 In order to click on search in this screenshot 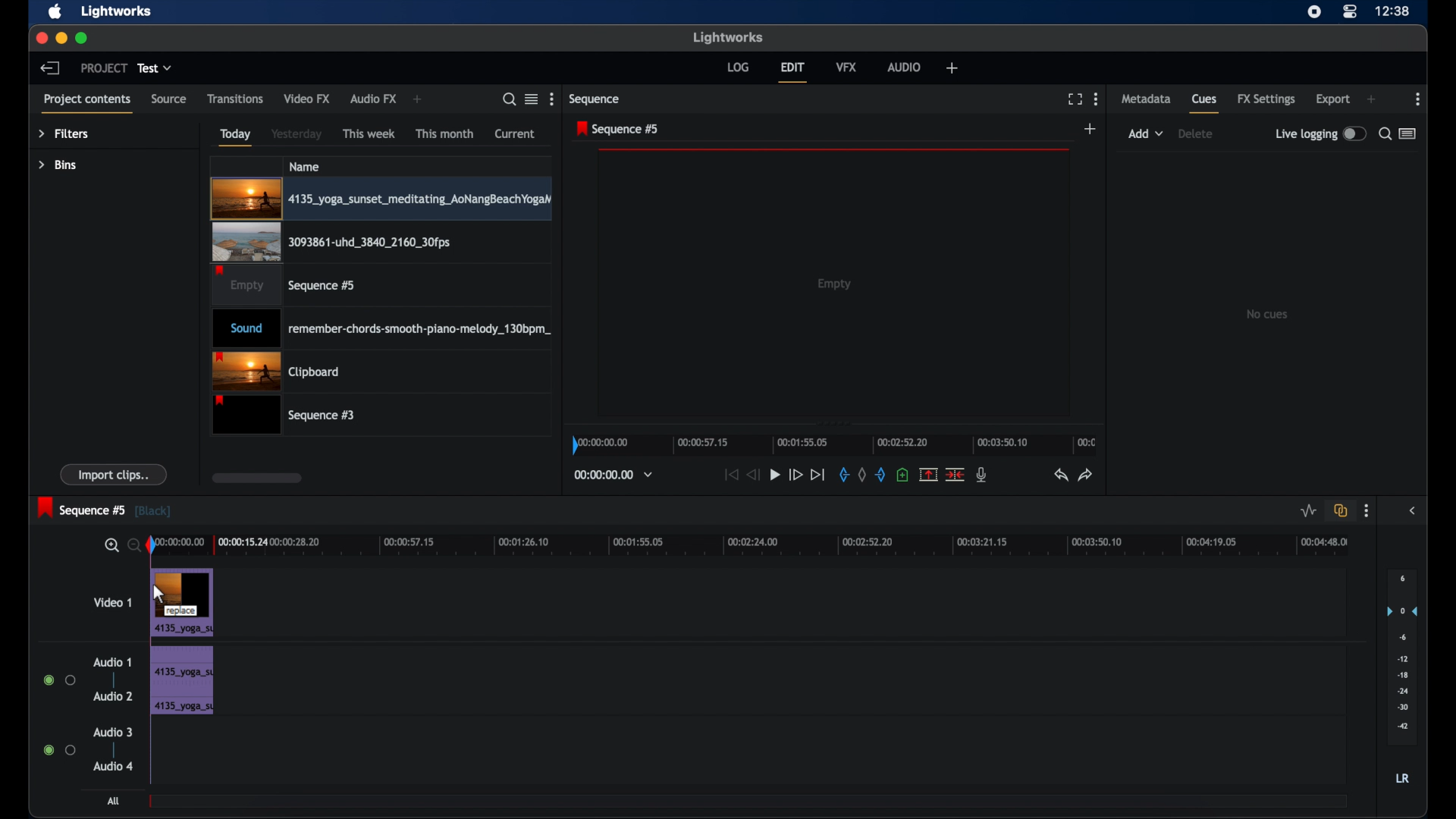, I will do `click(508, 99)`.